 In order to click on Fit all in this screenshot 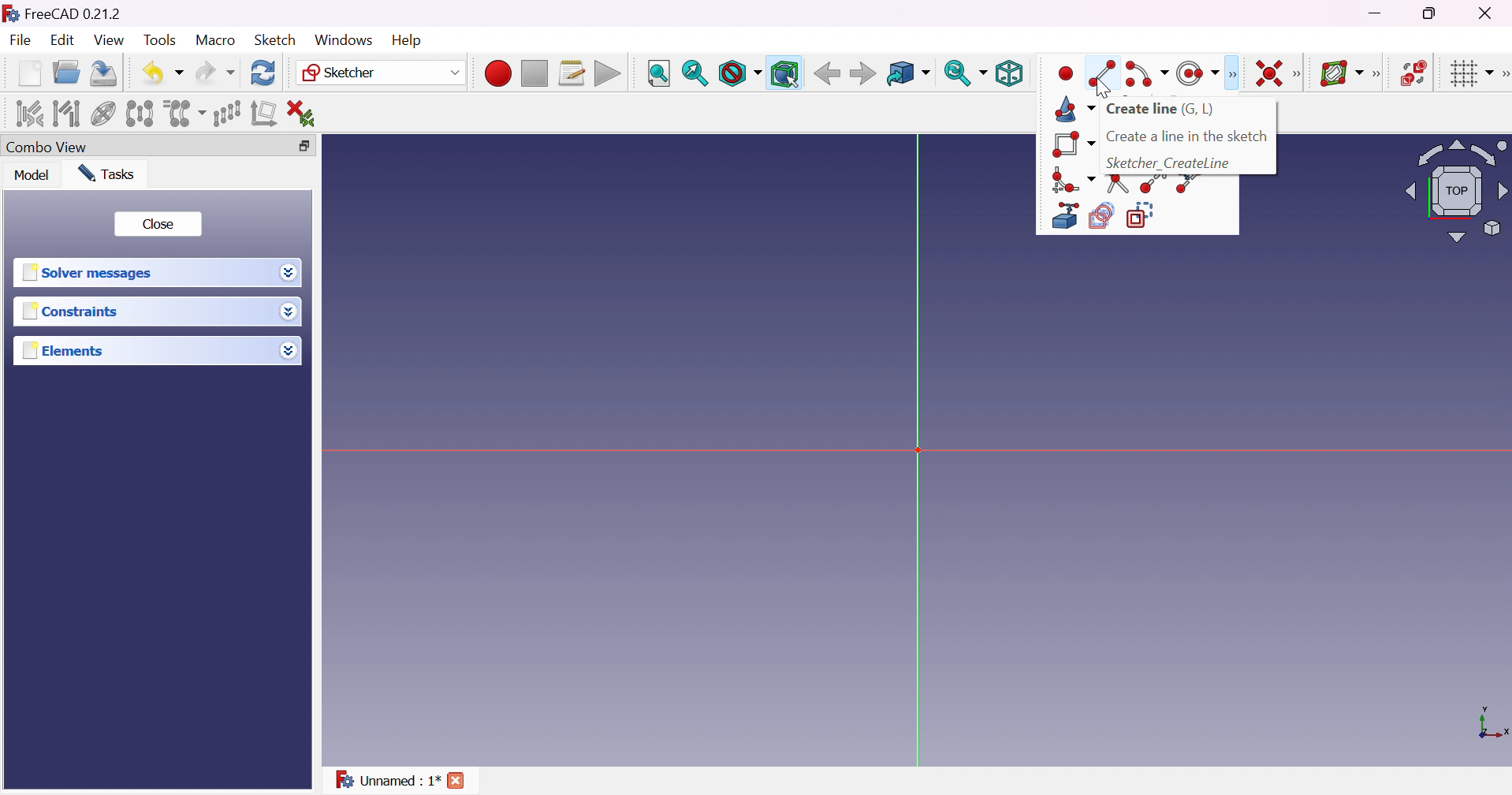, I will do `click(657, 73)`.